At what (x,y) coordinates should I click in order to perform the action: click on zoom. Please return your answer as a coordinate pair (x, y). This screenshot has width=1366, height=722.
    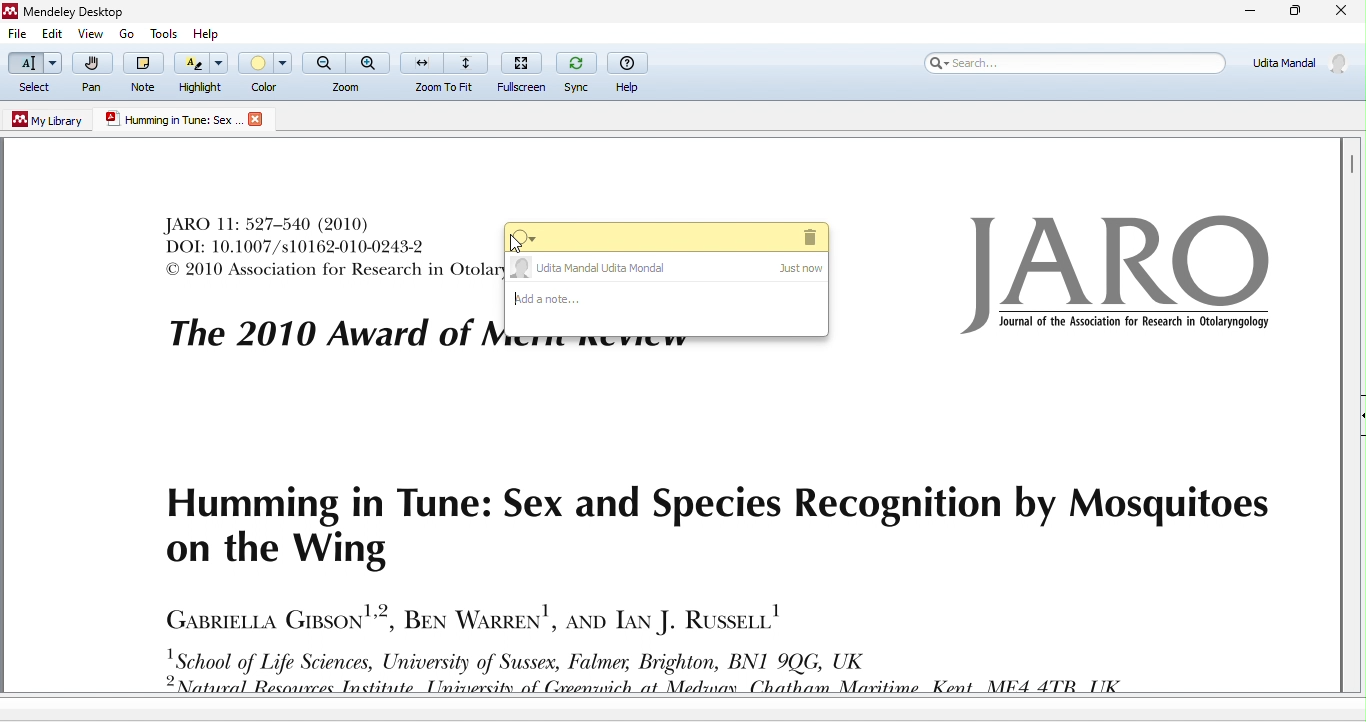
    Looking at the image, I should click on (345, 73).